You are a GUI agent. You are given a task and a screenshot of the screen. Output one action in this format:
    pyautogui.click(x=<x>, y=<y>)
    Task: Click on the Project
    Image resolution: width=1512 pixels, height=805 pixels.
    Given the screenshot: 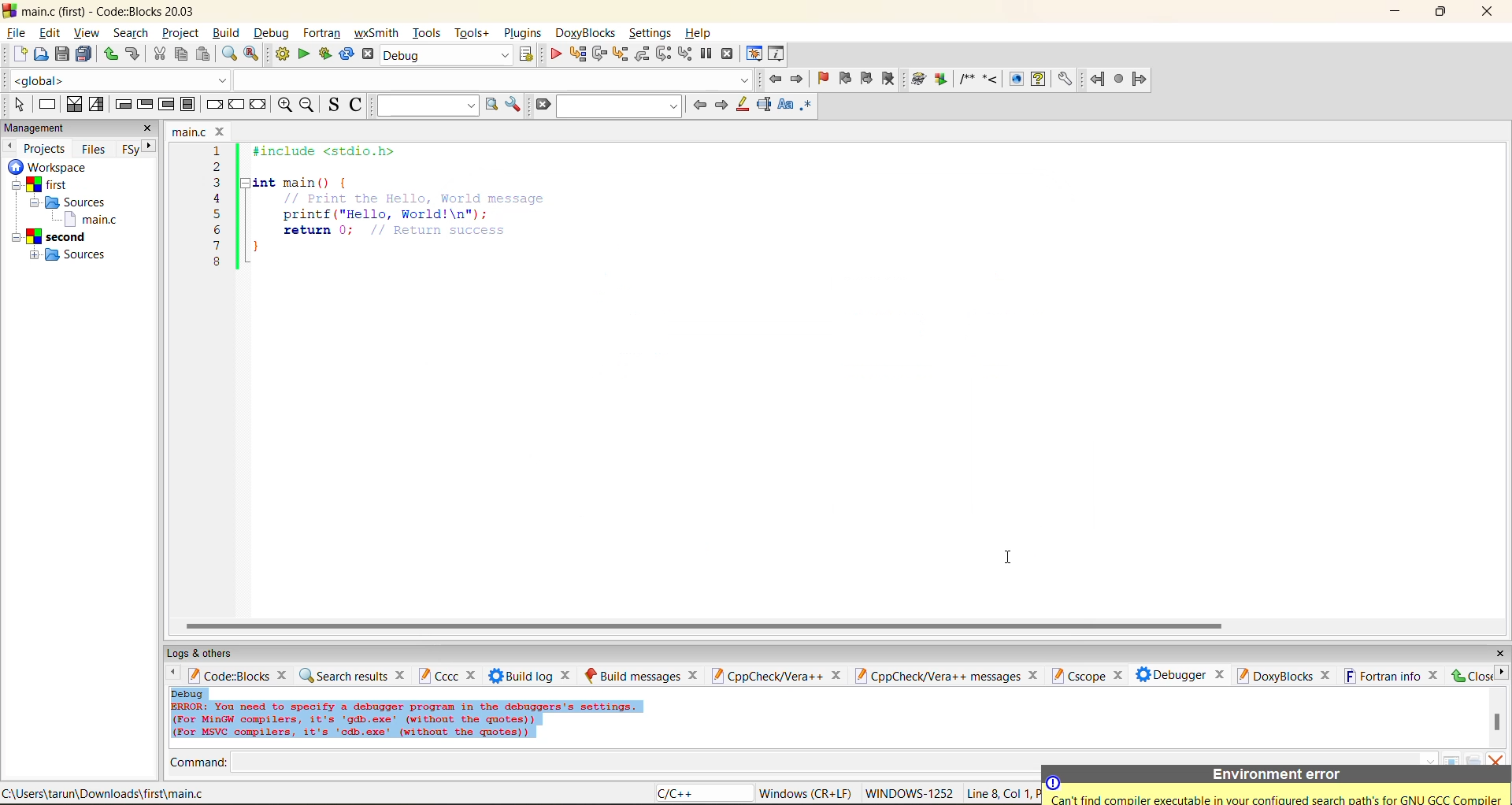 What is the action you would take?
    pyautogui.click(x=51, y=237)
    